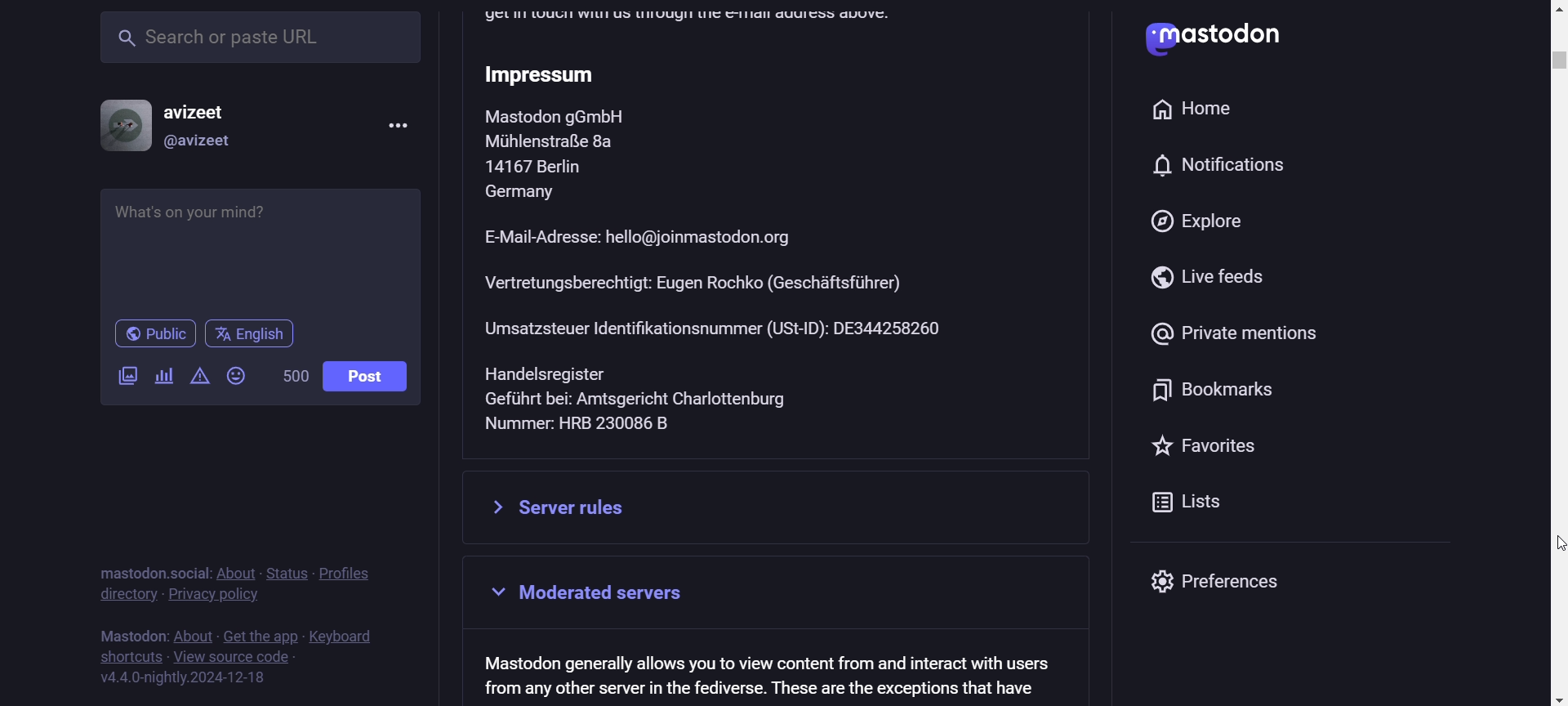 Image resolution: width=1568 pixels, height=706 pixels. I want to click on favorites, so click(1208, 446).